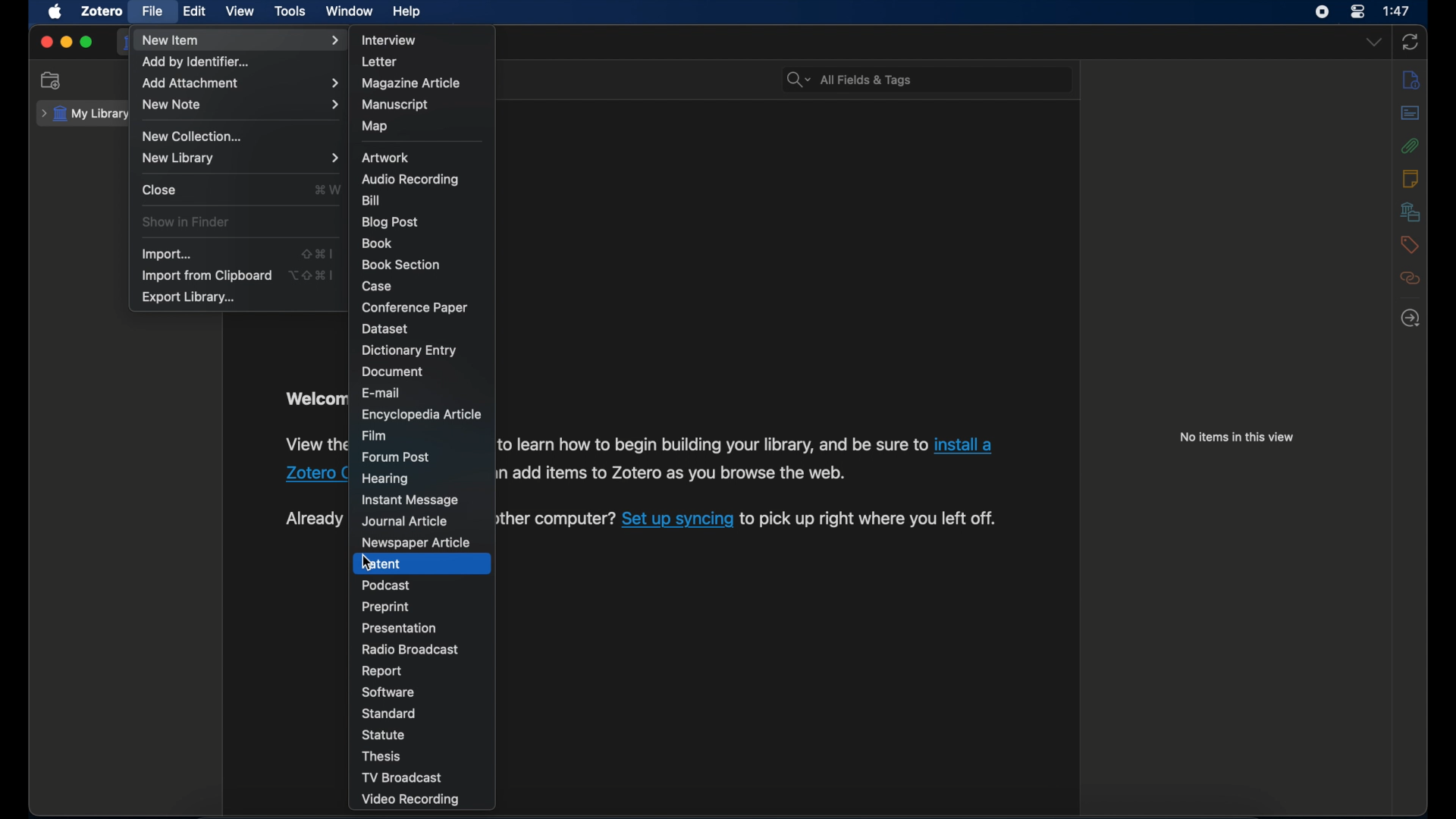  What do you see at coordinates (190, 298) in the screenshot?
I see `export library` at bounding box center [190, 298].